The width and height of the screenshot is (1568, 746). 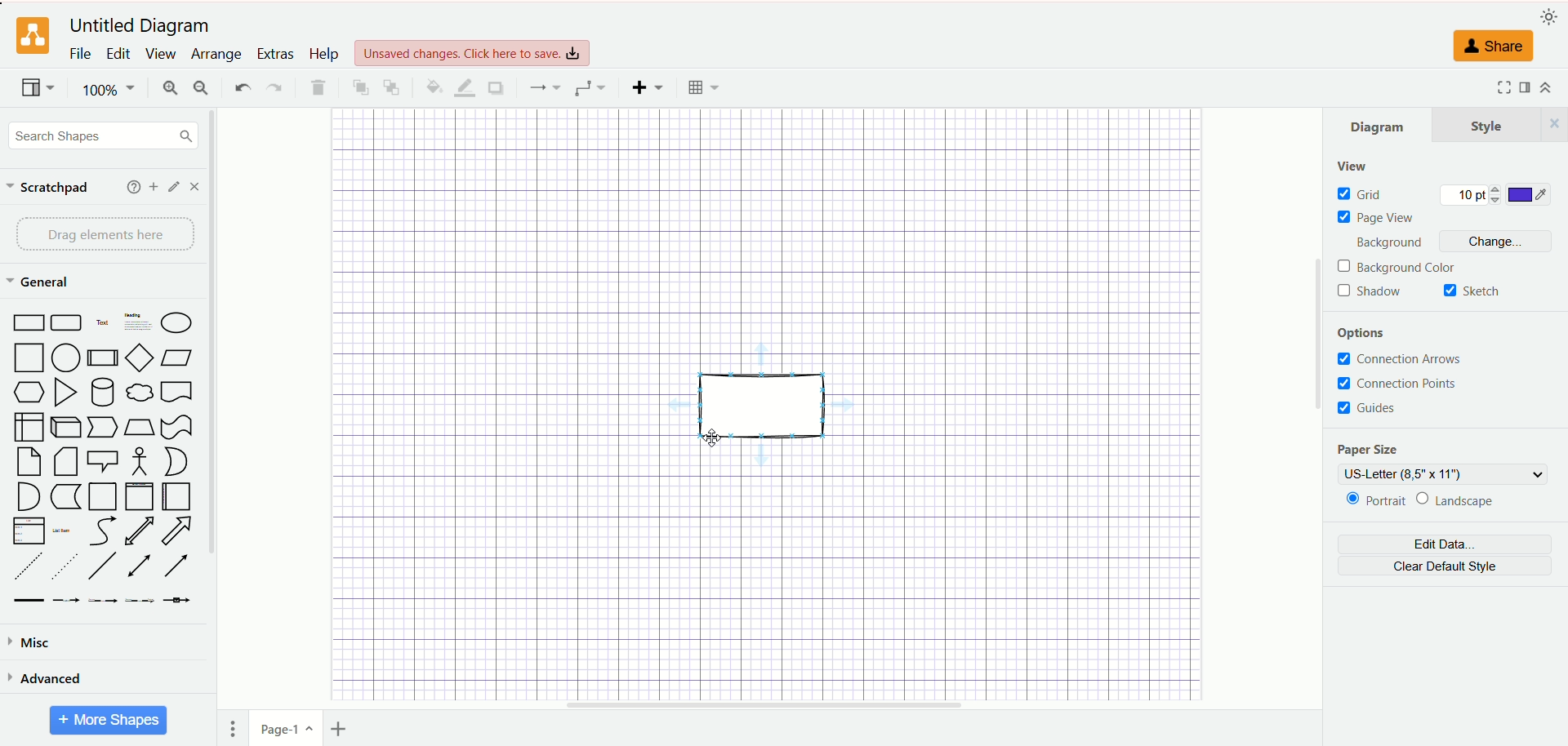 I want to click on logo, so click(x=33, y=36).